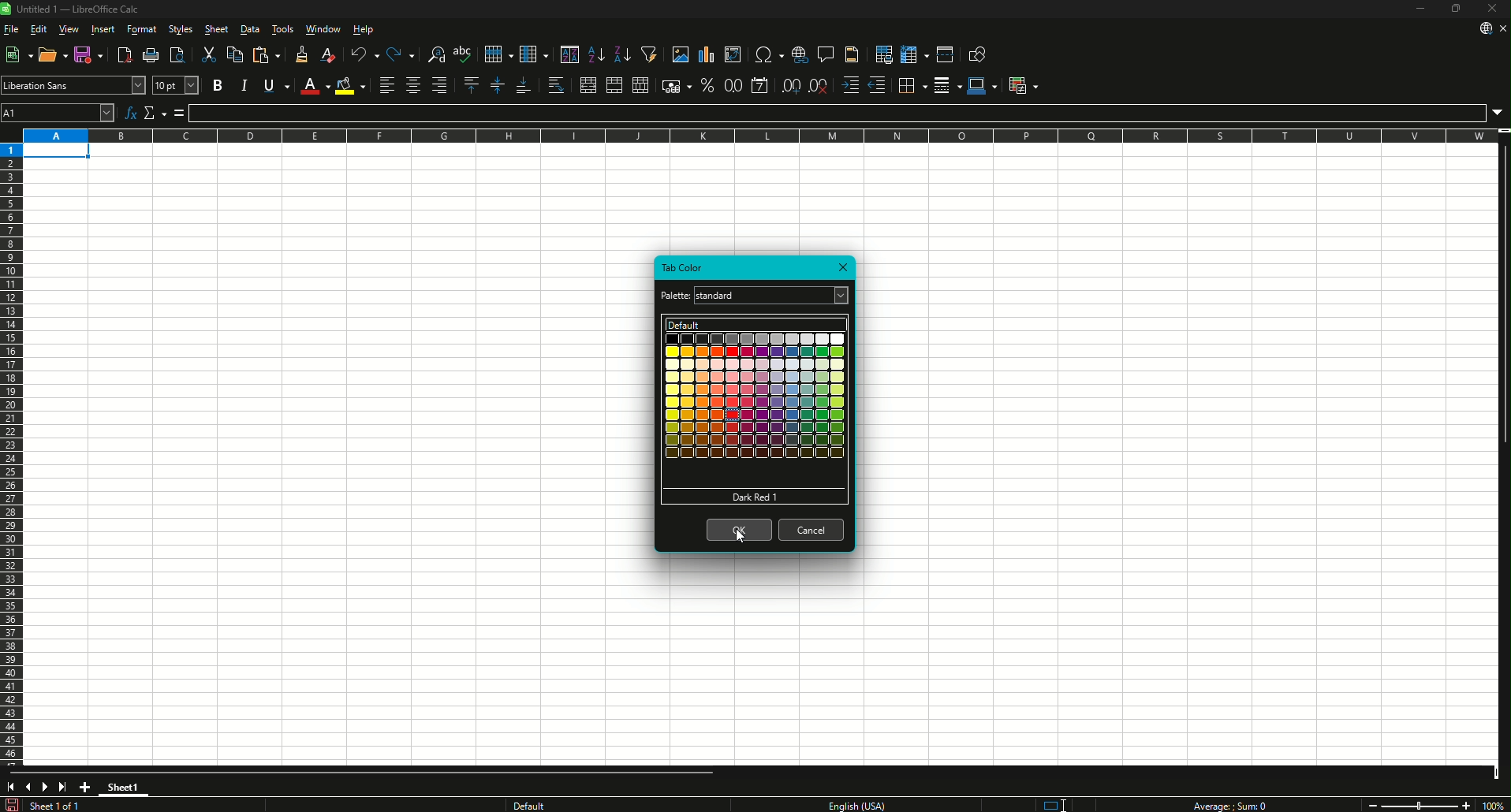 The image size is (1511, 812). What do you see at coordinates (1493, 806) in the screenshot?
I see `Zoom Factor` at bounding box center [1493, 806].